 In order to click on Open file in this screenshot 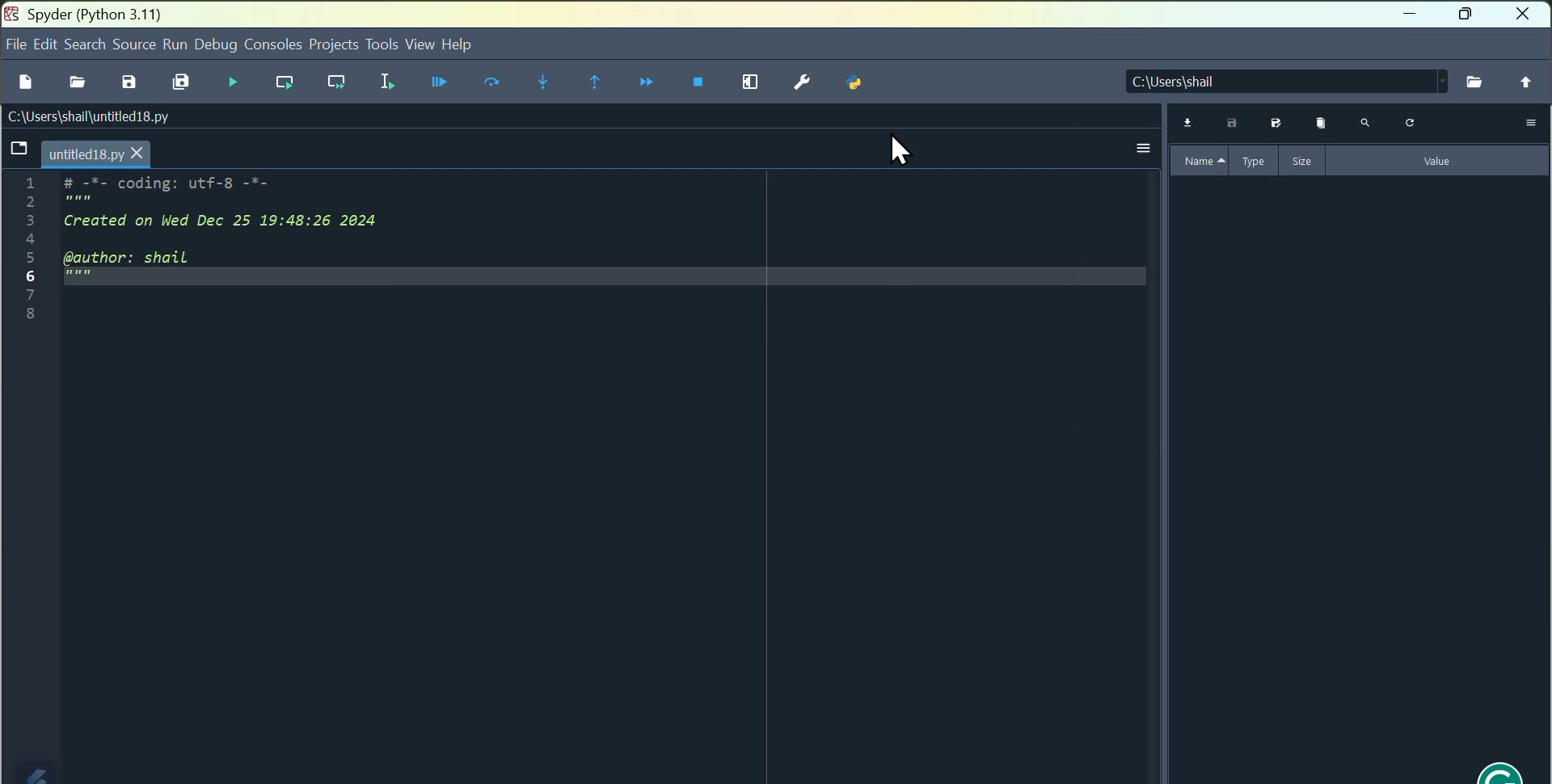, I will do `click(75, 81)`.